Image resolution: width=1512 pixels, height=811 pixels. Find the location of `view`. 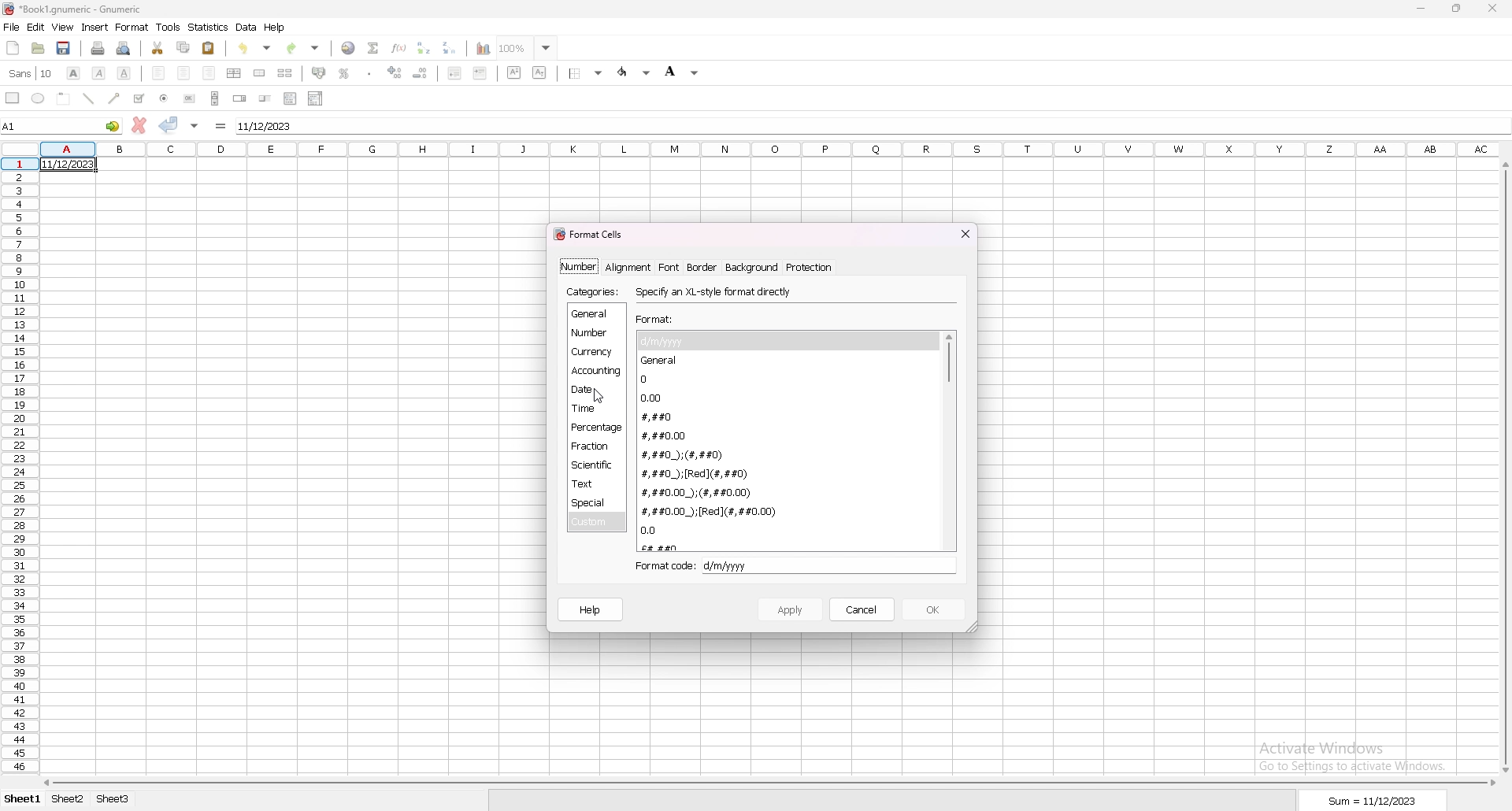

view is located at coordinates (61, 28).